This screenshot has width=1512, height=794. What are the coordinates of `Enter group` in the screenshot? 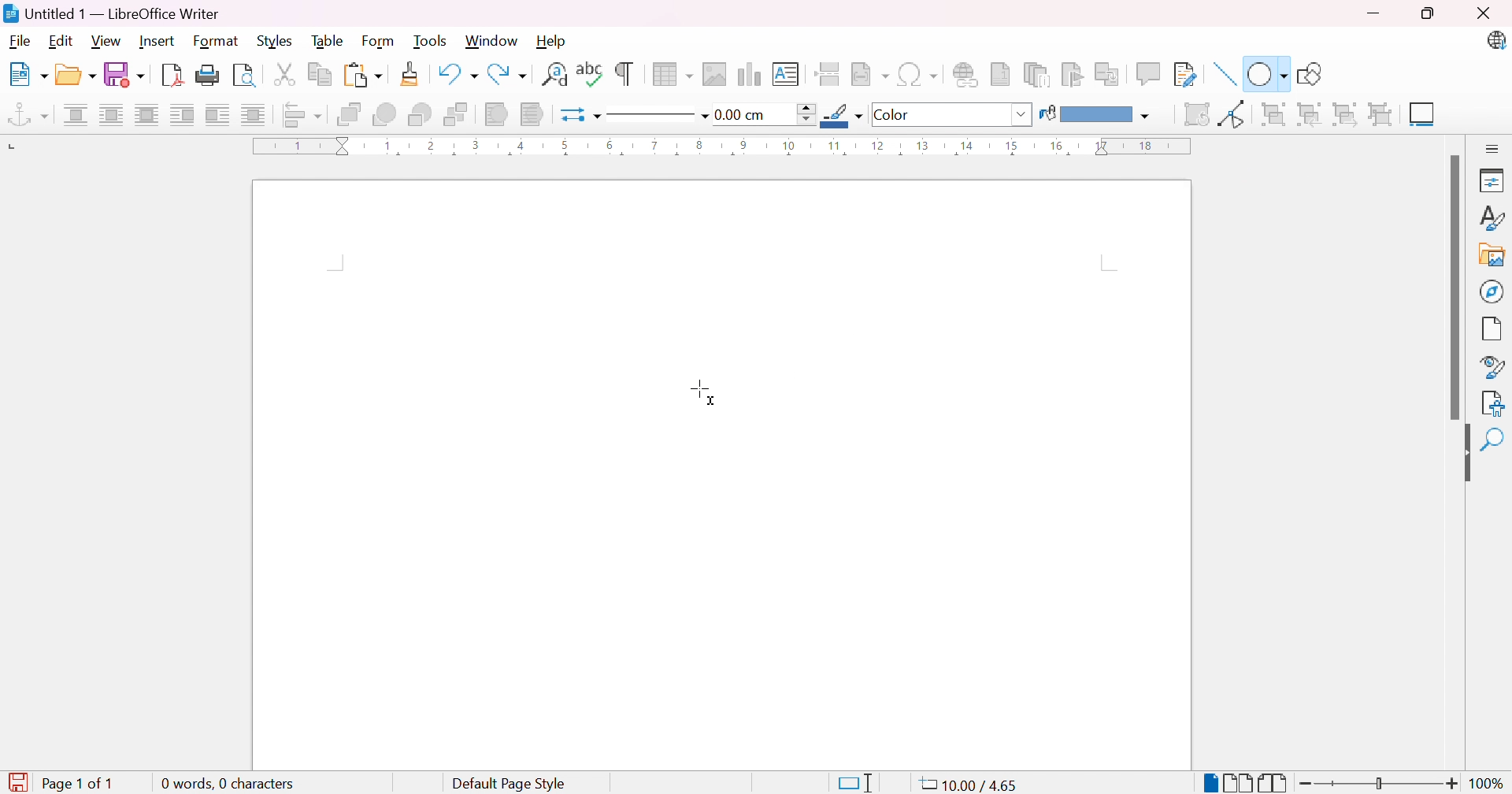 It's located at (1310, 116).